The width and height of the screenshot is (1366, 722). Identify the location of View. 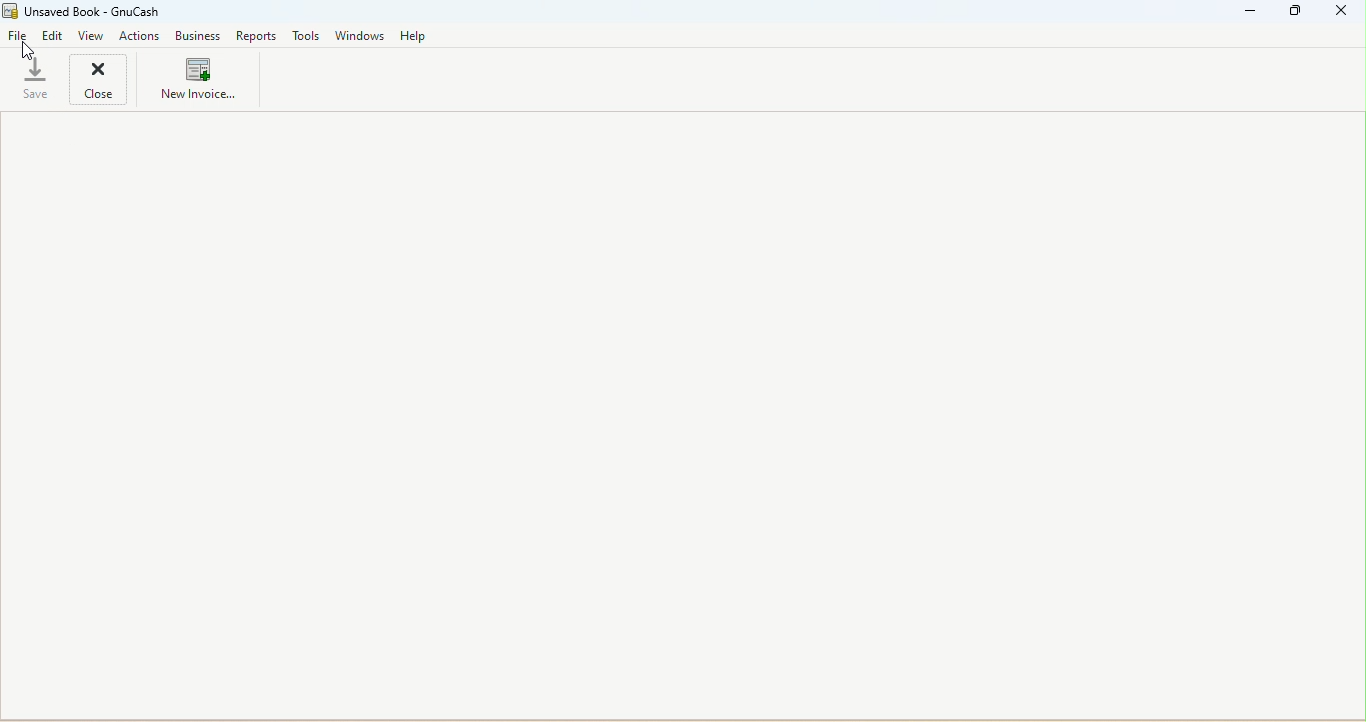
(93, 36).